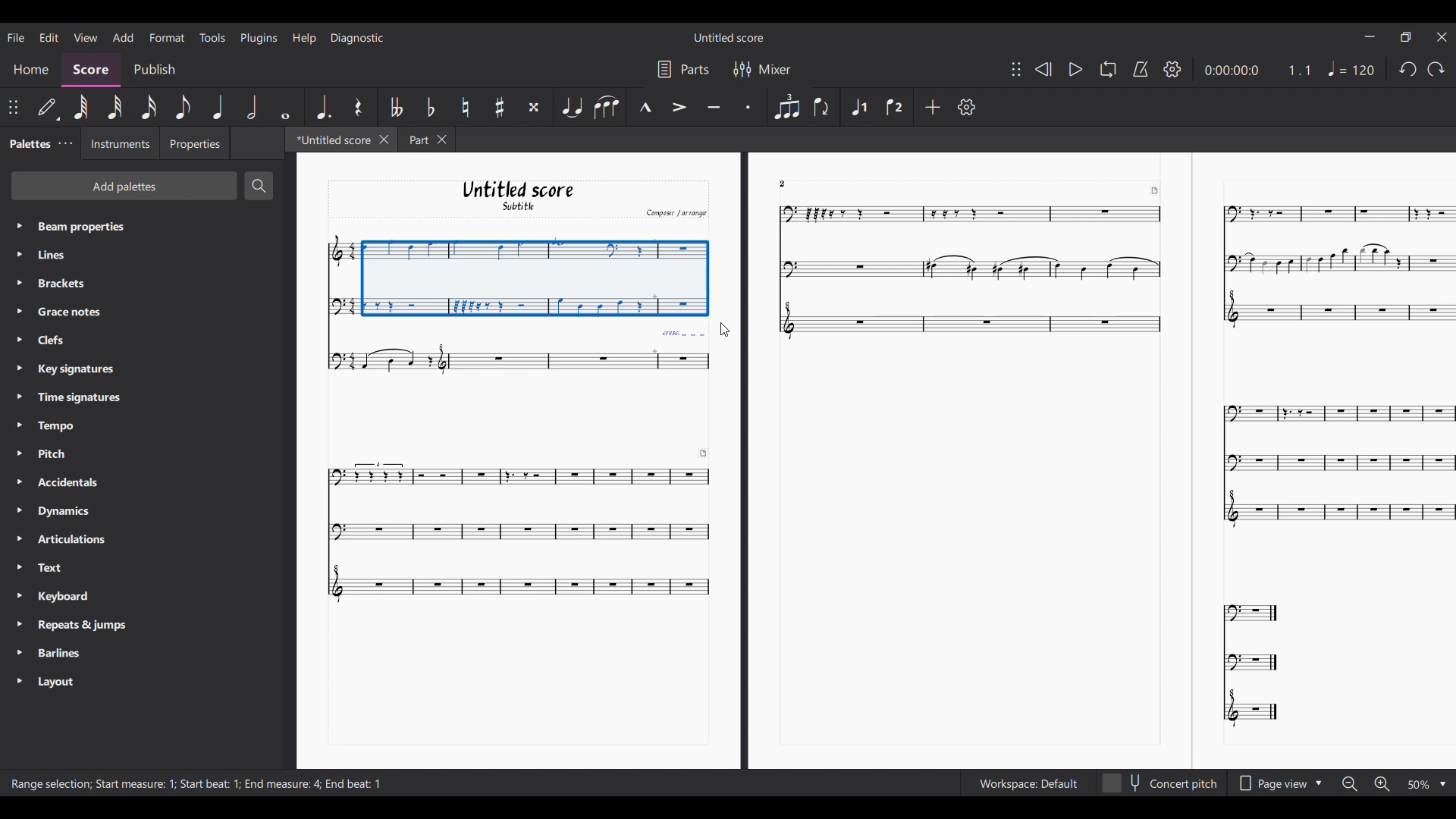 The image size is (1456, 819). What do you see at coordinates (16, 225) in the screenshot?
I see `` at bounding box center [16, 225].